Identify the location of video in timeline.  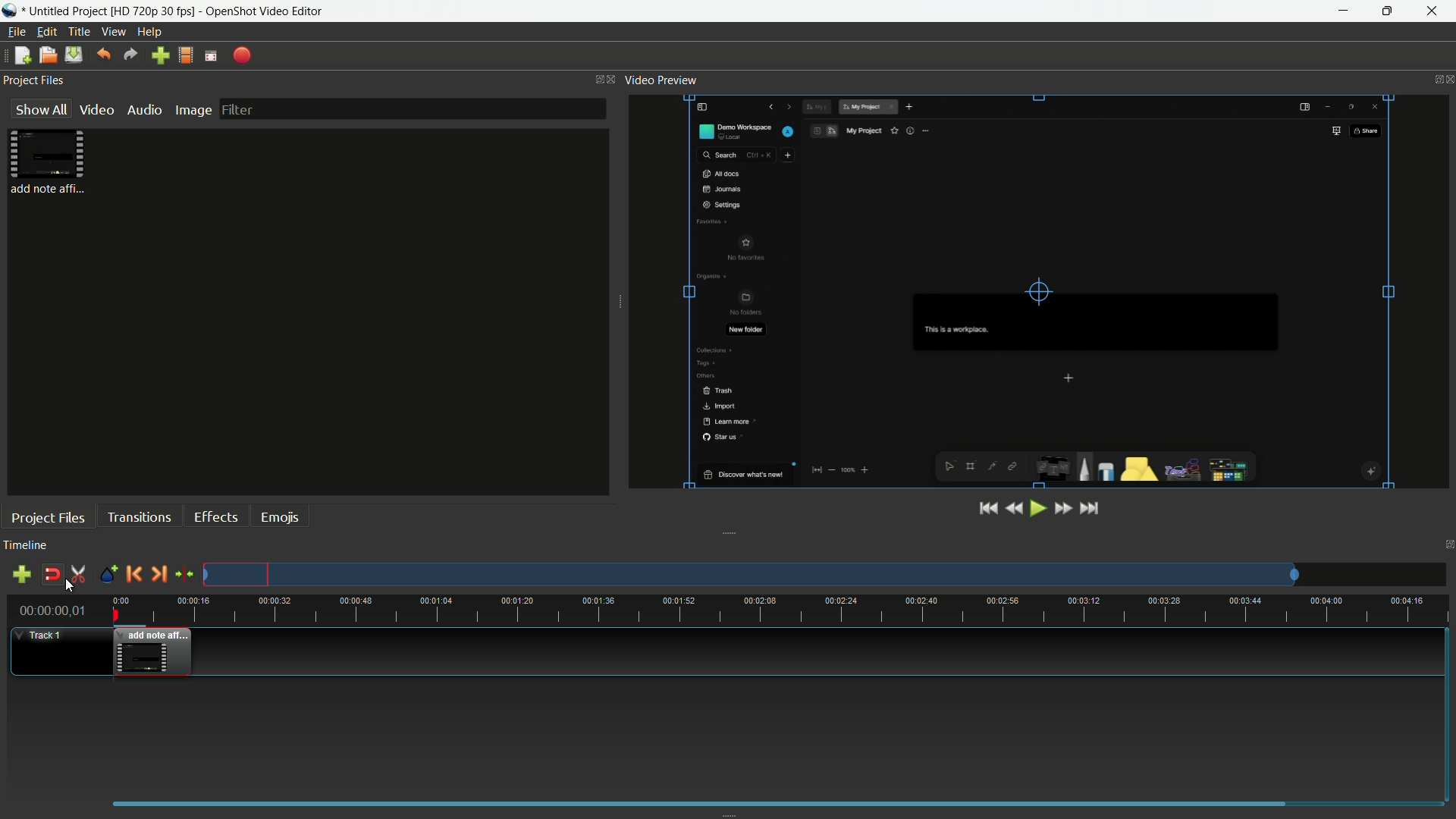
(152, 652).